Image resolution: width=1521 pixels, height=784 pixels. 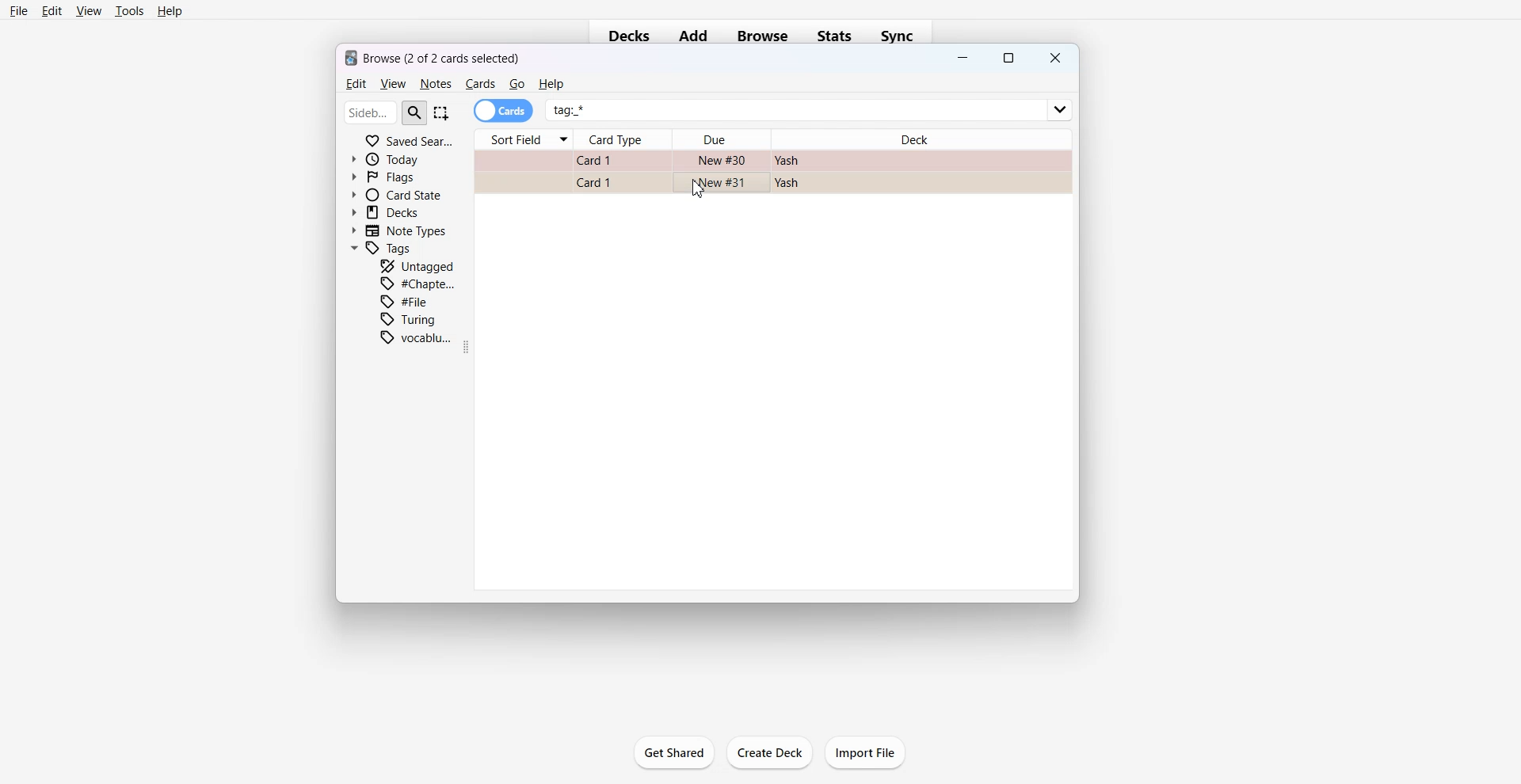 I want to click on File, so click(x=408, y=301).